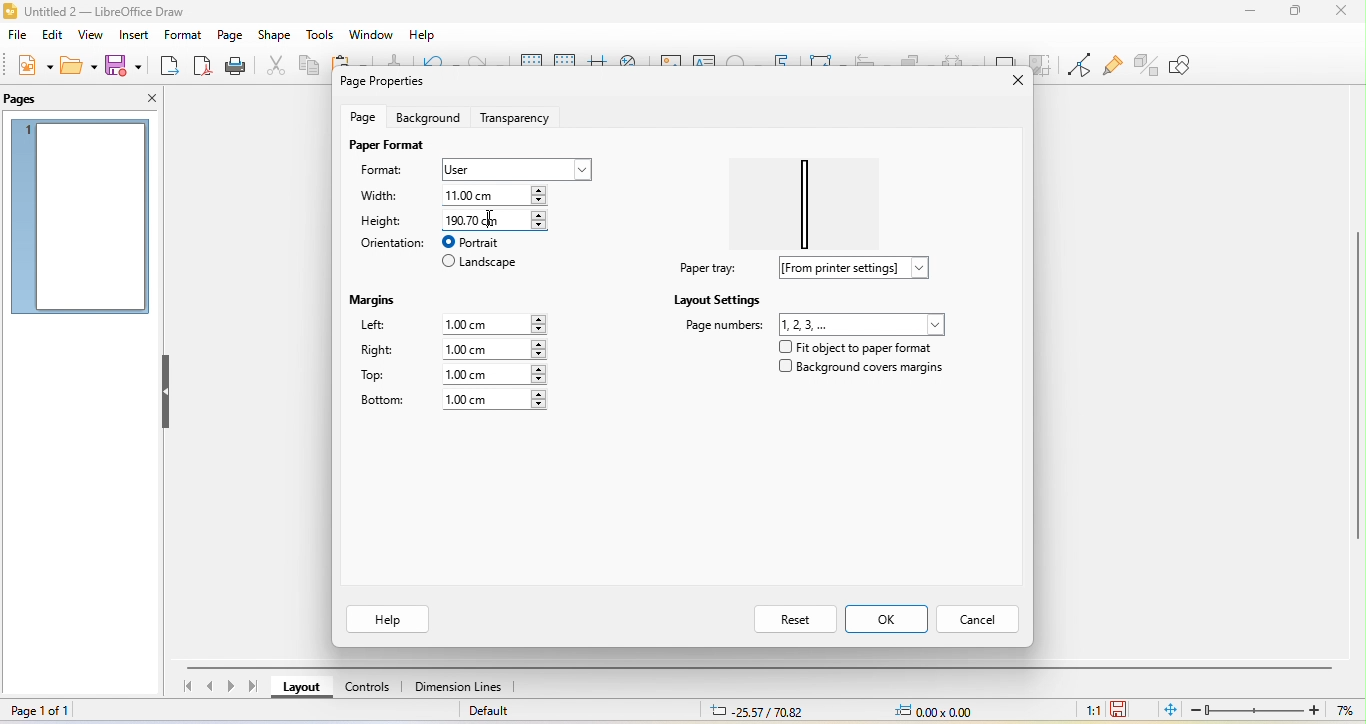 The image size is (1366, 724). I want to click on user, so click(514, 169).